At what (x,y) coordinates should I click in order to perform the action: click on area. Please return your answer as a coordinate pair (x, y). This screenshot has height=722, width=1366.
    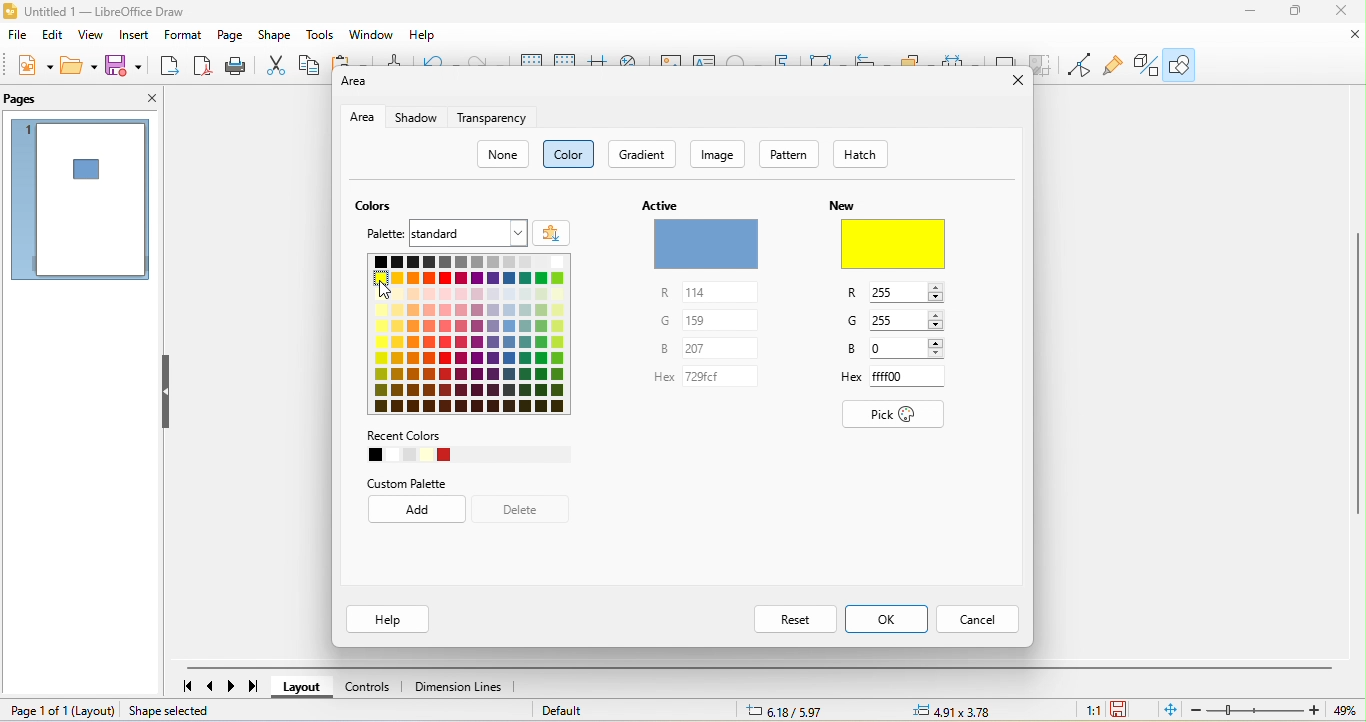
    Looking at the image, I should click on (363, 118).